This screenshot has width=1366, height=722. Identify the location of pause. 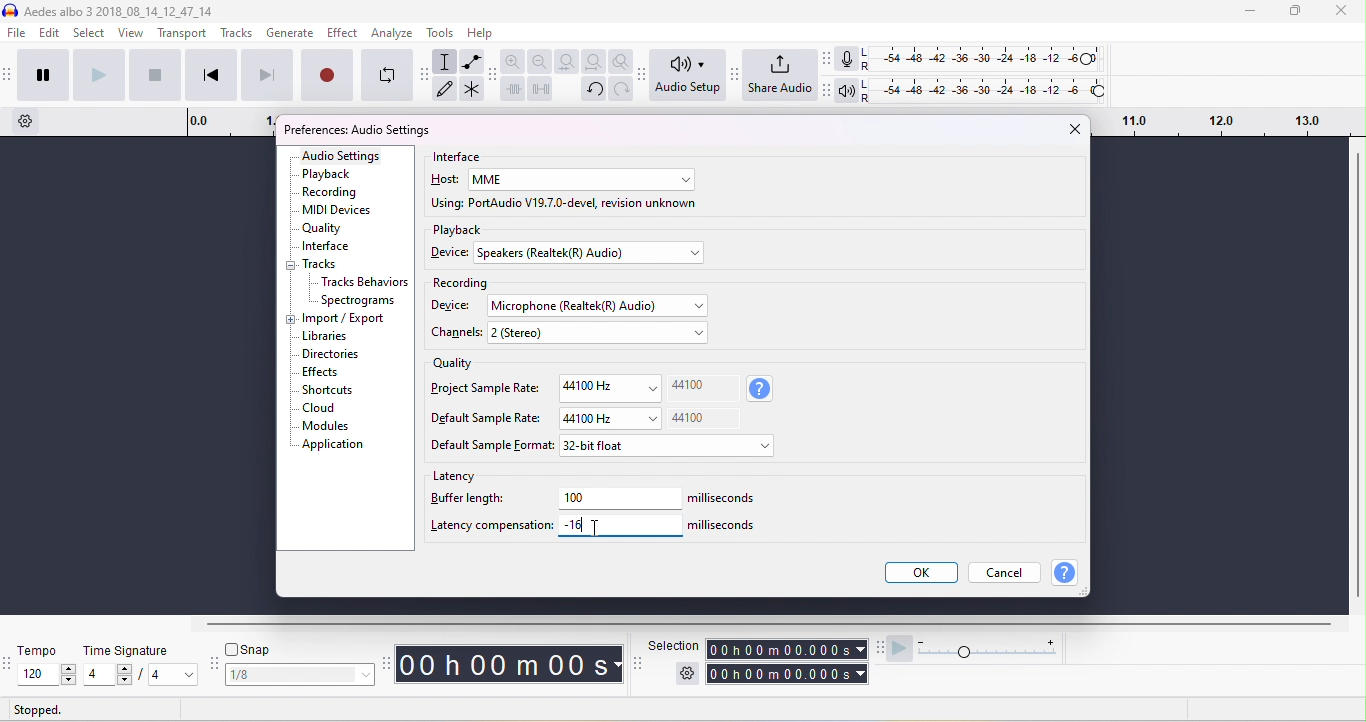
(43, 73).